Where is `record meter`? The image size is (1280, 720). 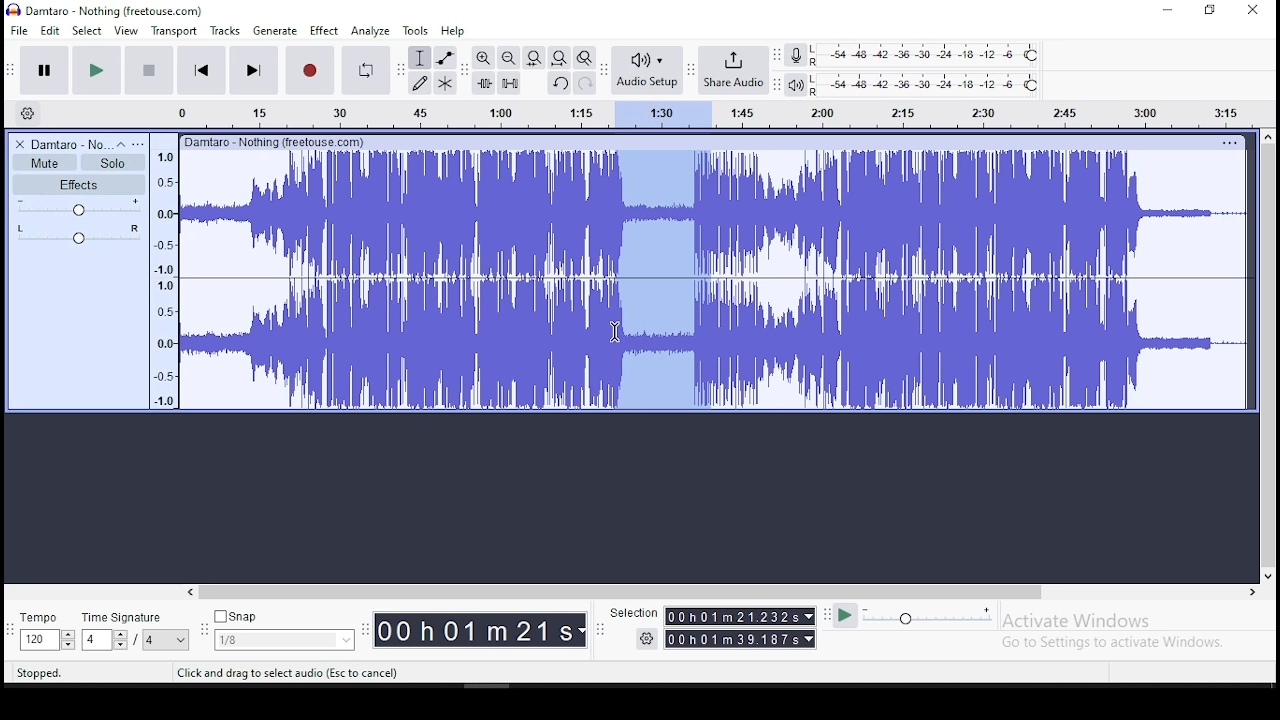 record meter is located at coordinates (796, 54).